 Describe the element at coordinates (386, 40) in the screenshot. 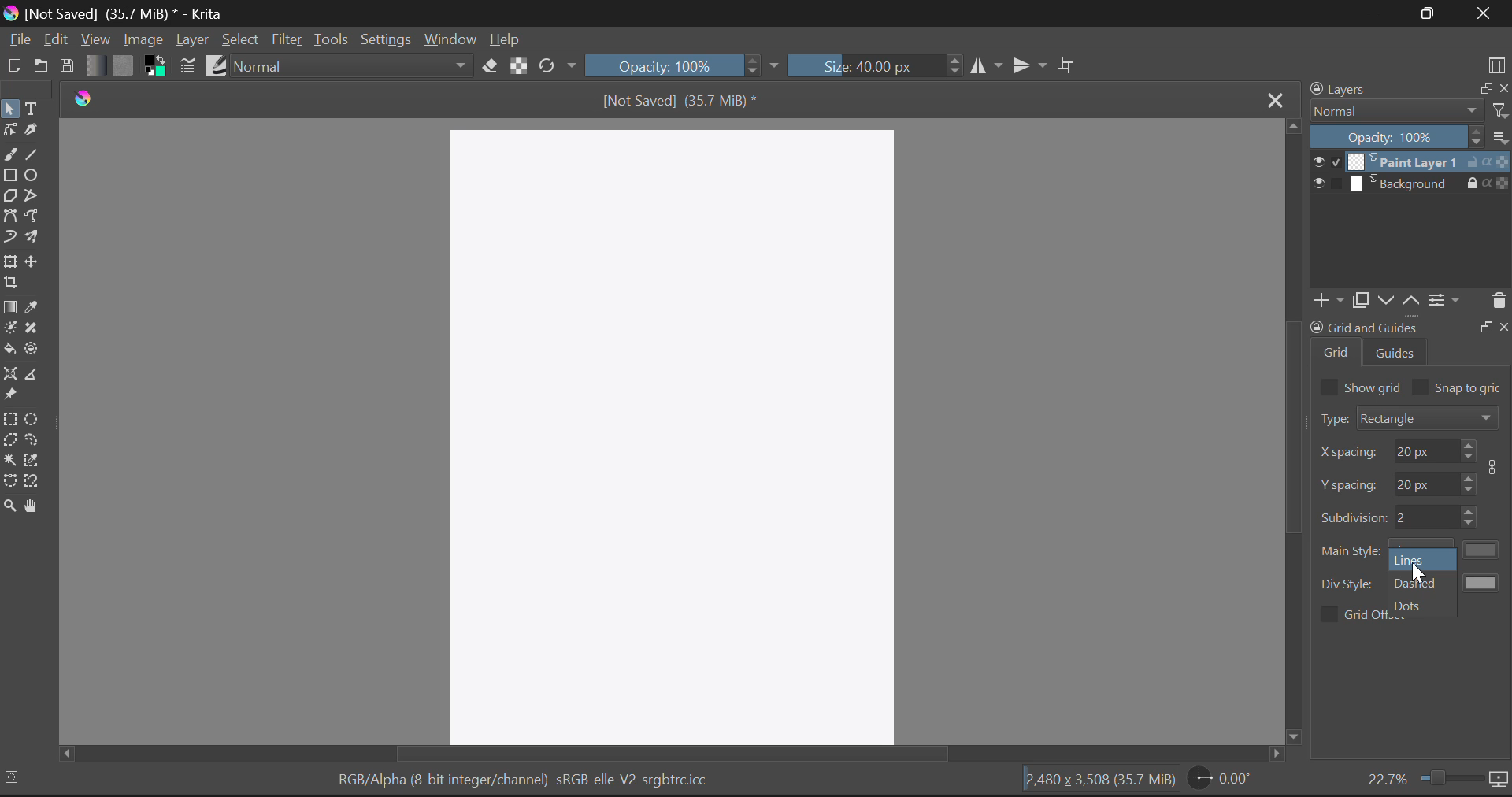

I see `Settings` at that location.